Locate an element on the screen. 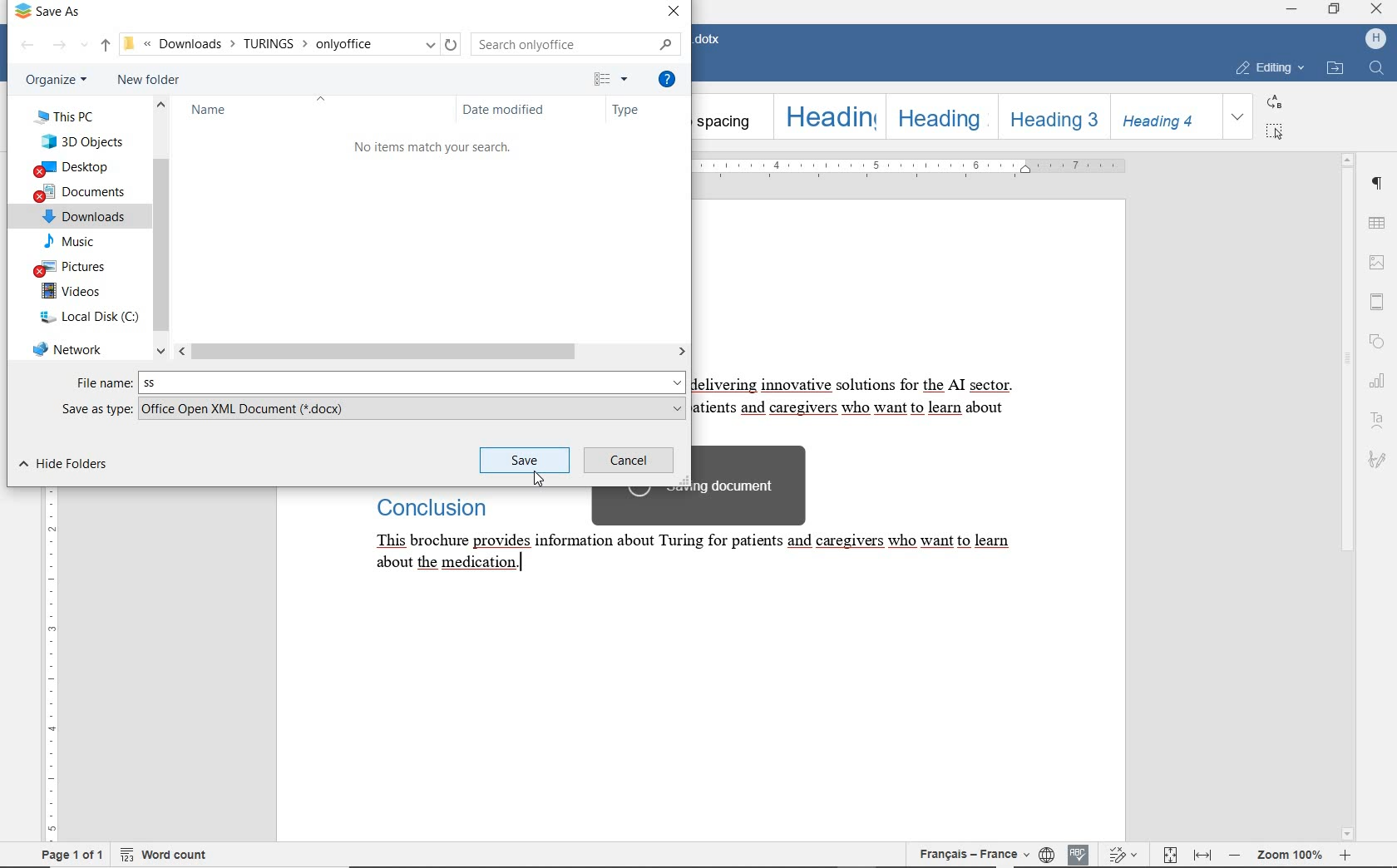  SAVE AS is located at coordinates (63, 12).